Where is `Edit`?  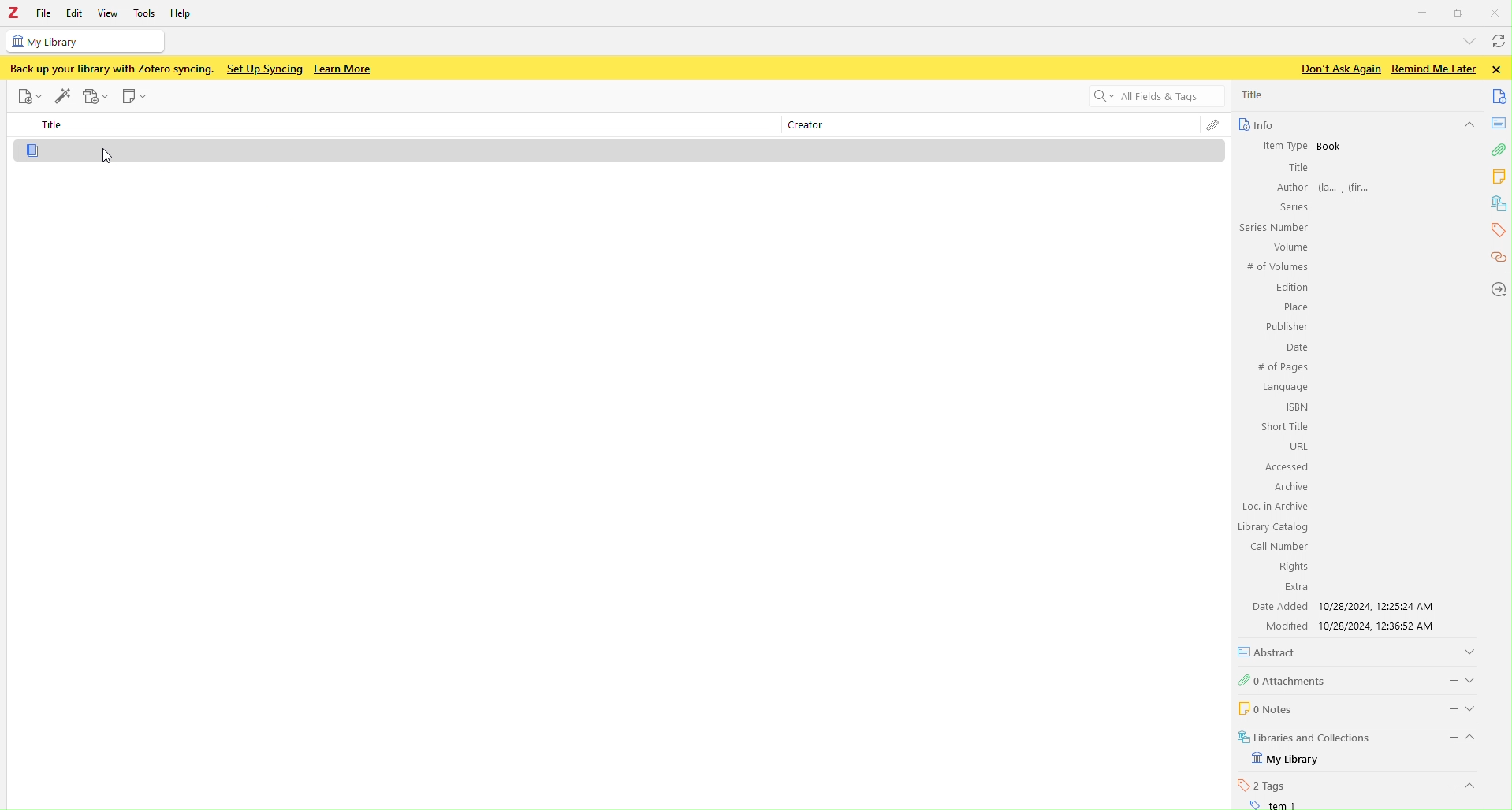 Edit is located at coordinates (73, 13).